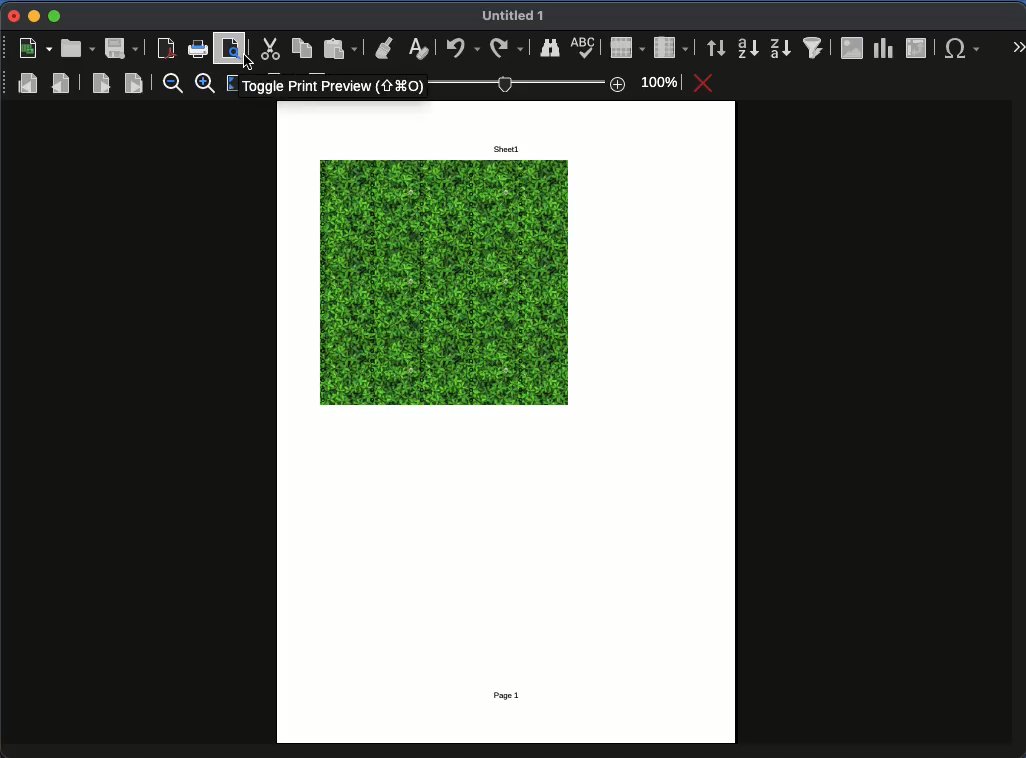 This screenshot has height=758, width=1026. What do you see at coordinates (120, 49) in the screenshot?
I see `save` at bounding box center [120, 49].